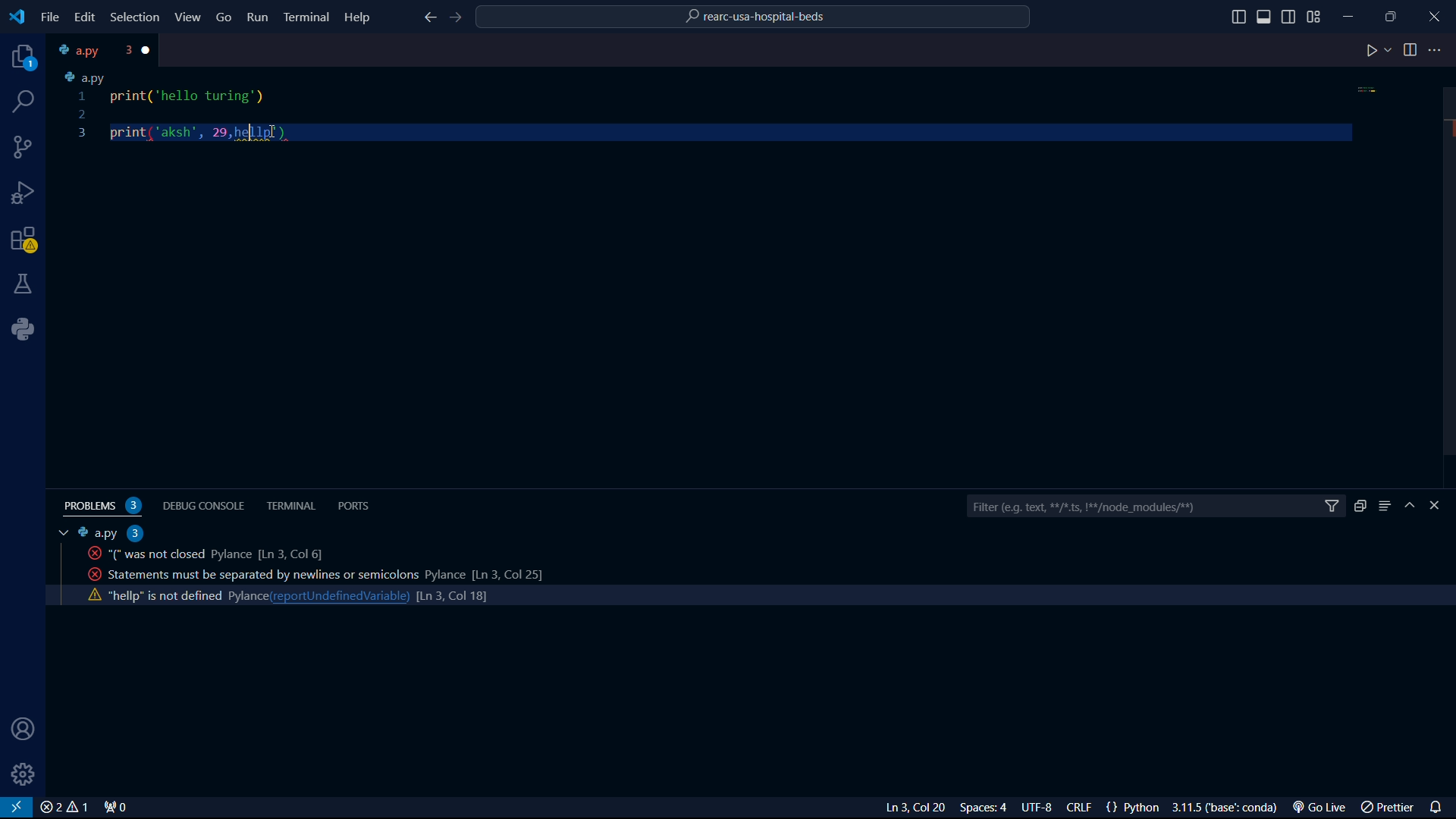  I want to click on UTF-8, so click(1043, 808).